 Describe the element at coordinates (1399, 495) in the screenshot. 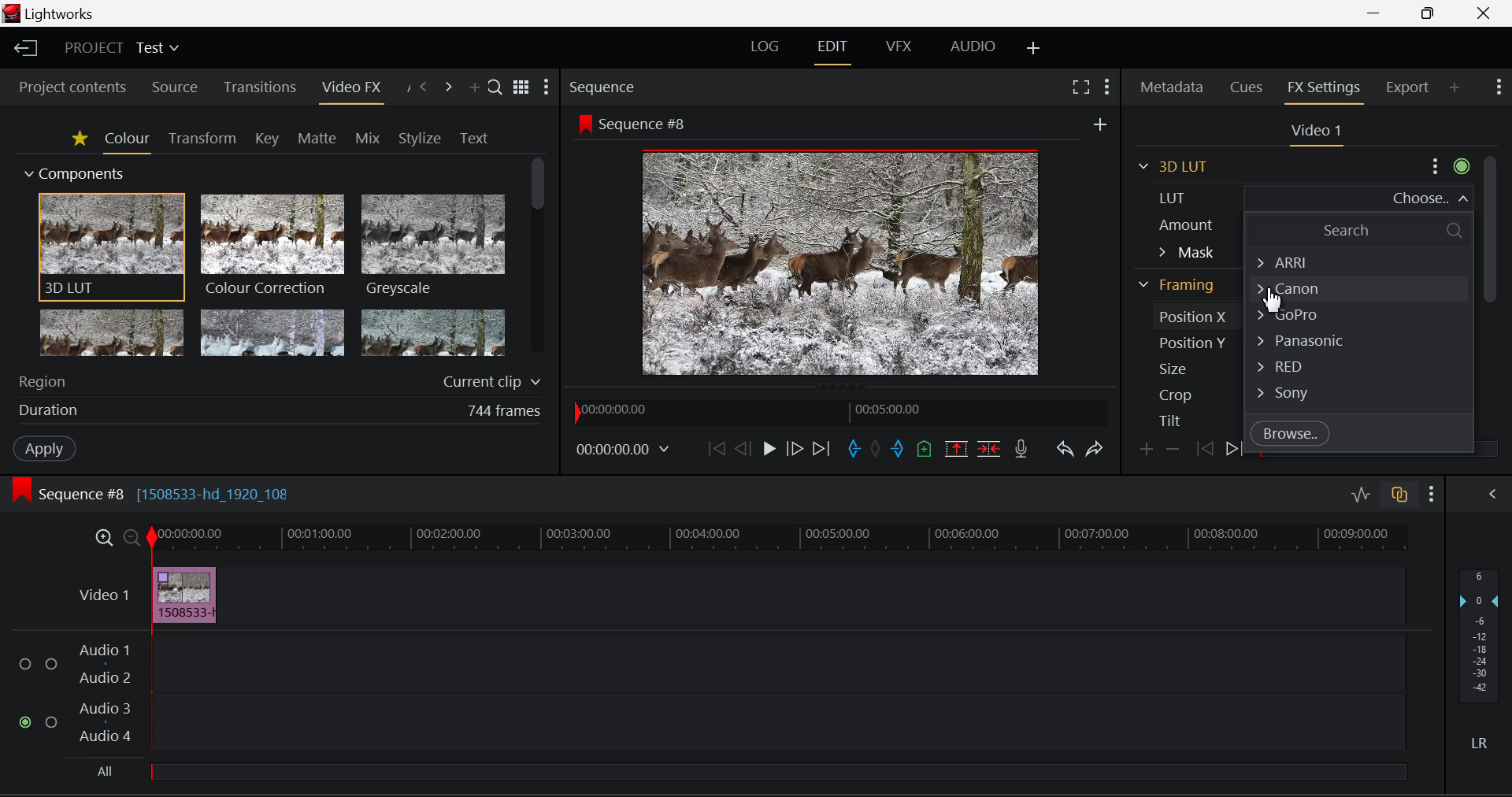

I see `Toggle auto track sync` at that location.